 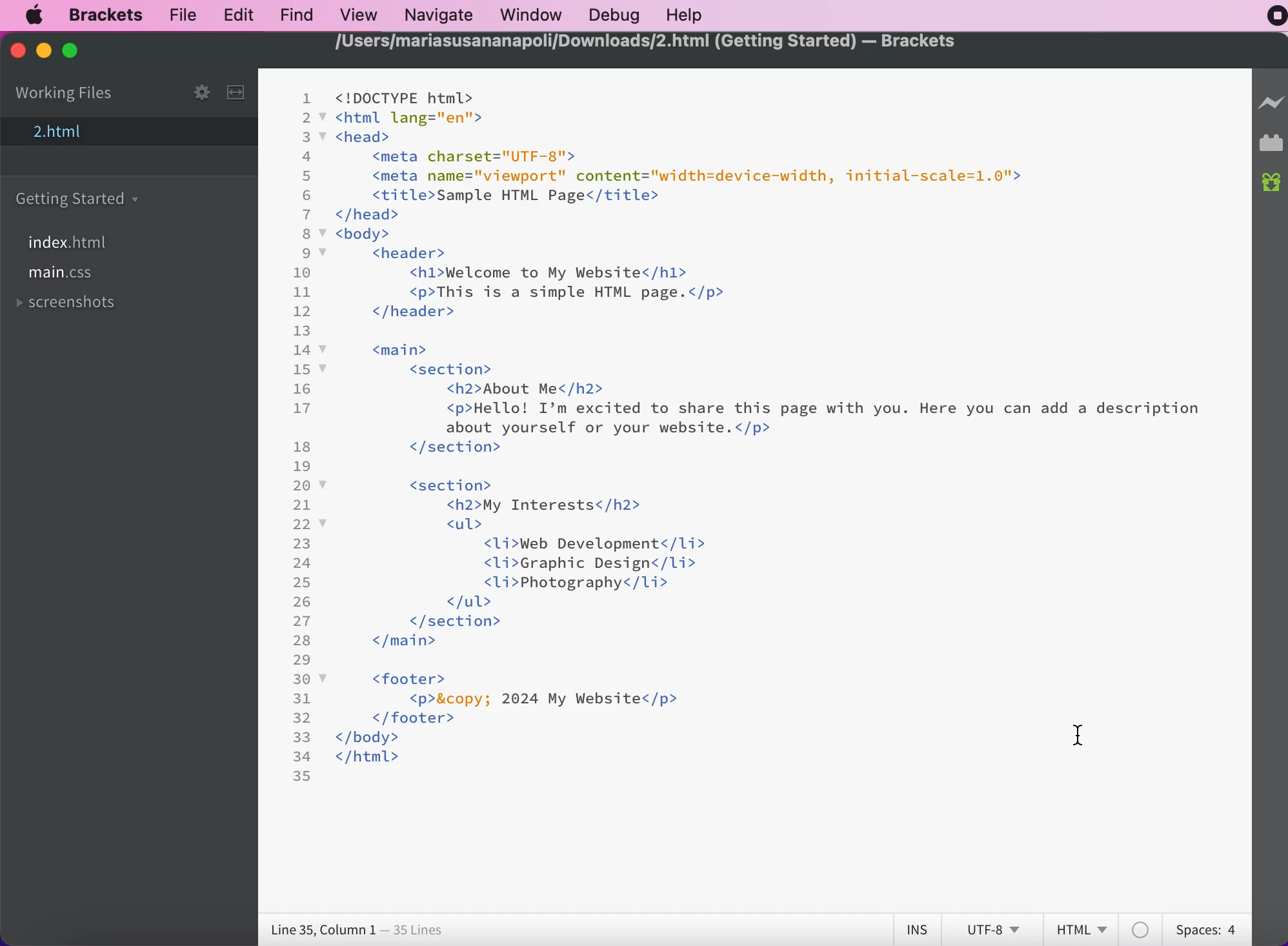 What do you see at coordinates (325, 232) in the screenshot?
I see `code fold` at bounding box center [325, 232].